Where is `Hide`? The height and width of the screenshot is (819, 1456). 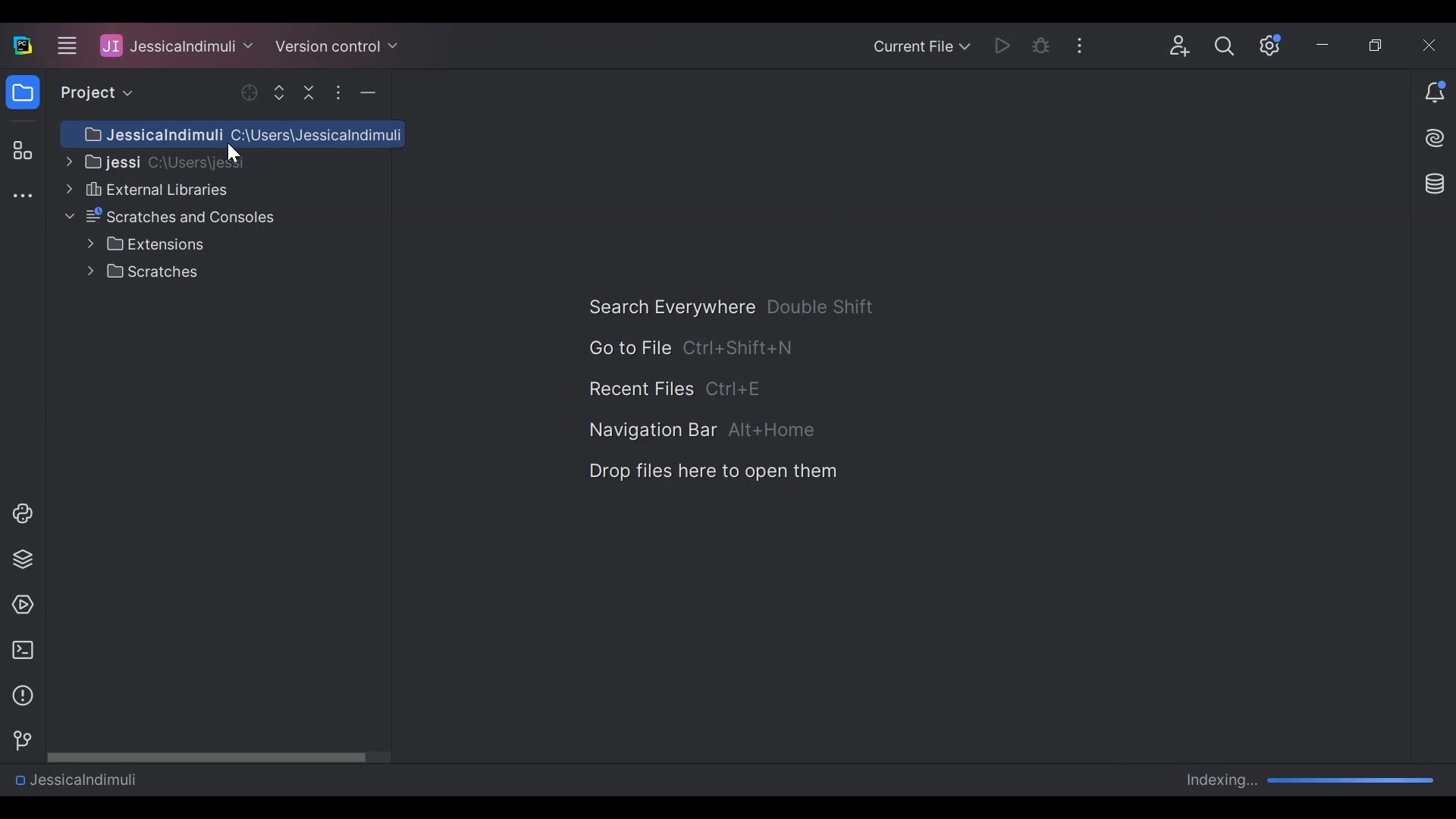 Hide is located at coordinates (368, 93).